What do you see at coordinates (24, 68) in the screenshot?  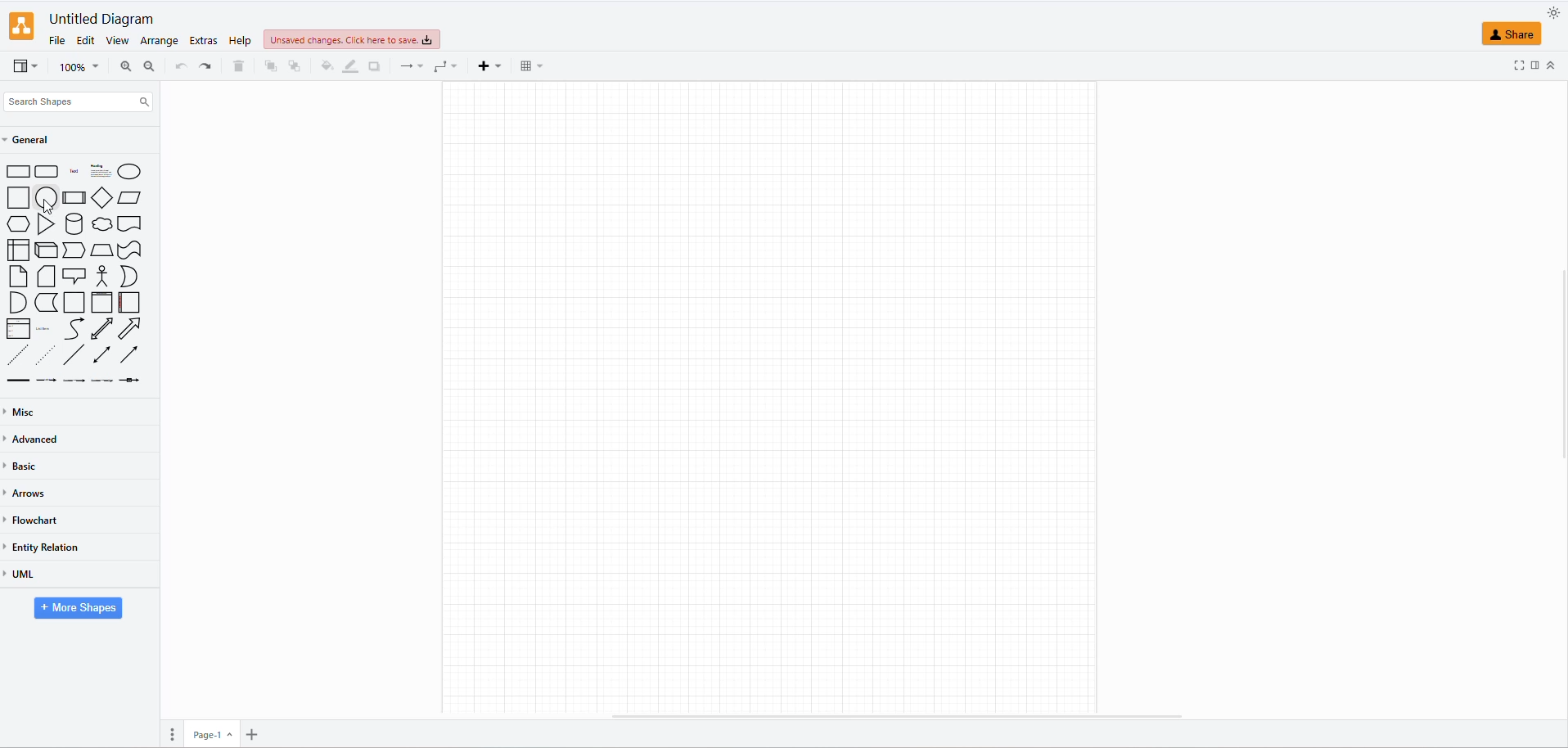 I see `VIEW` at bounding box center [24, 68].